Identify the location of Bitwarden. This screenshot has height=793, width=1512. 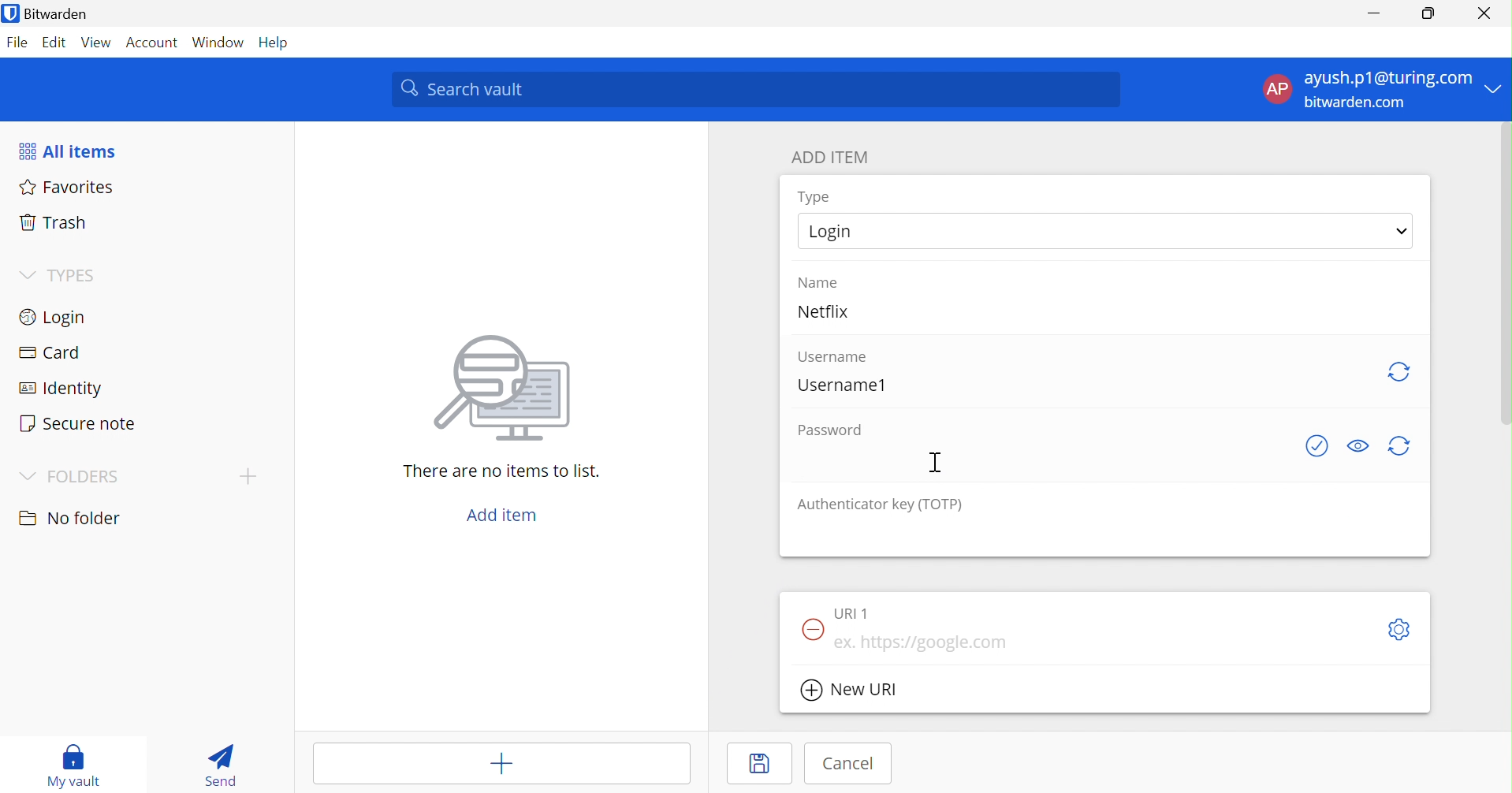
(46, 13).